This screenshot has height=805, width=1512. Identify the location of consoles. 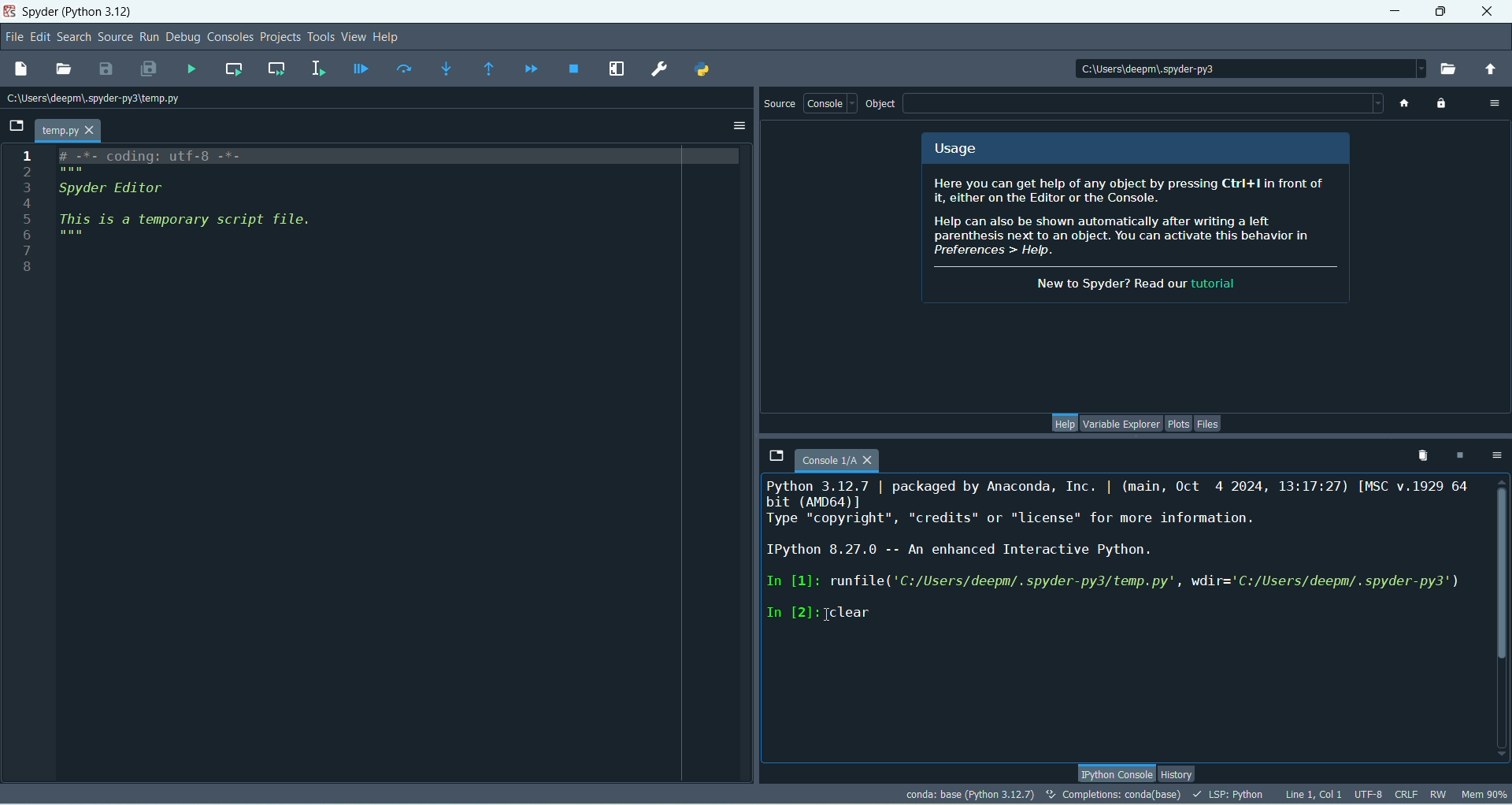
(230, 37).